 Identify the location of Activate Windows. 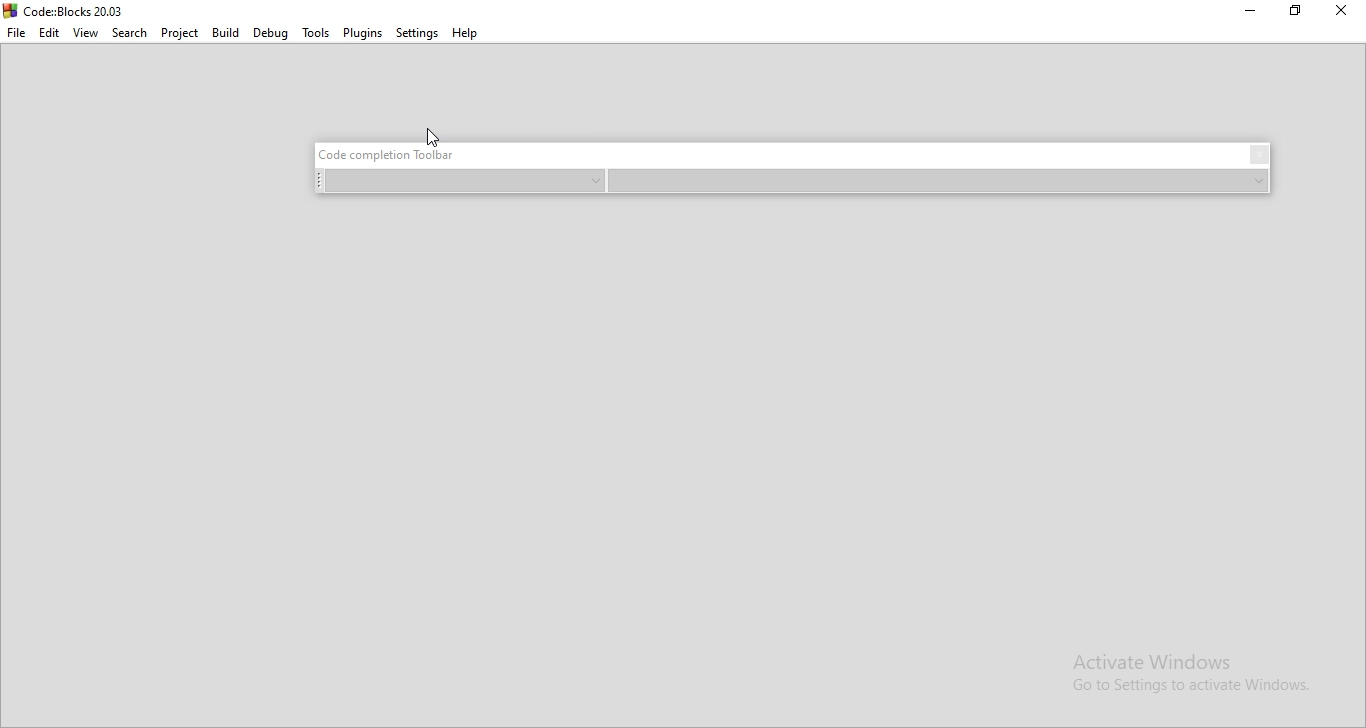
(1191, 672).